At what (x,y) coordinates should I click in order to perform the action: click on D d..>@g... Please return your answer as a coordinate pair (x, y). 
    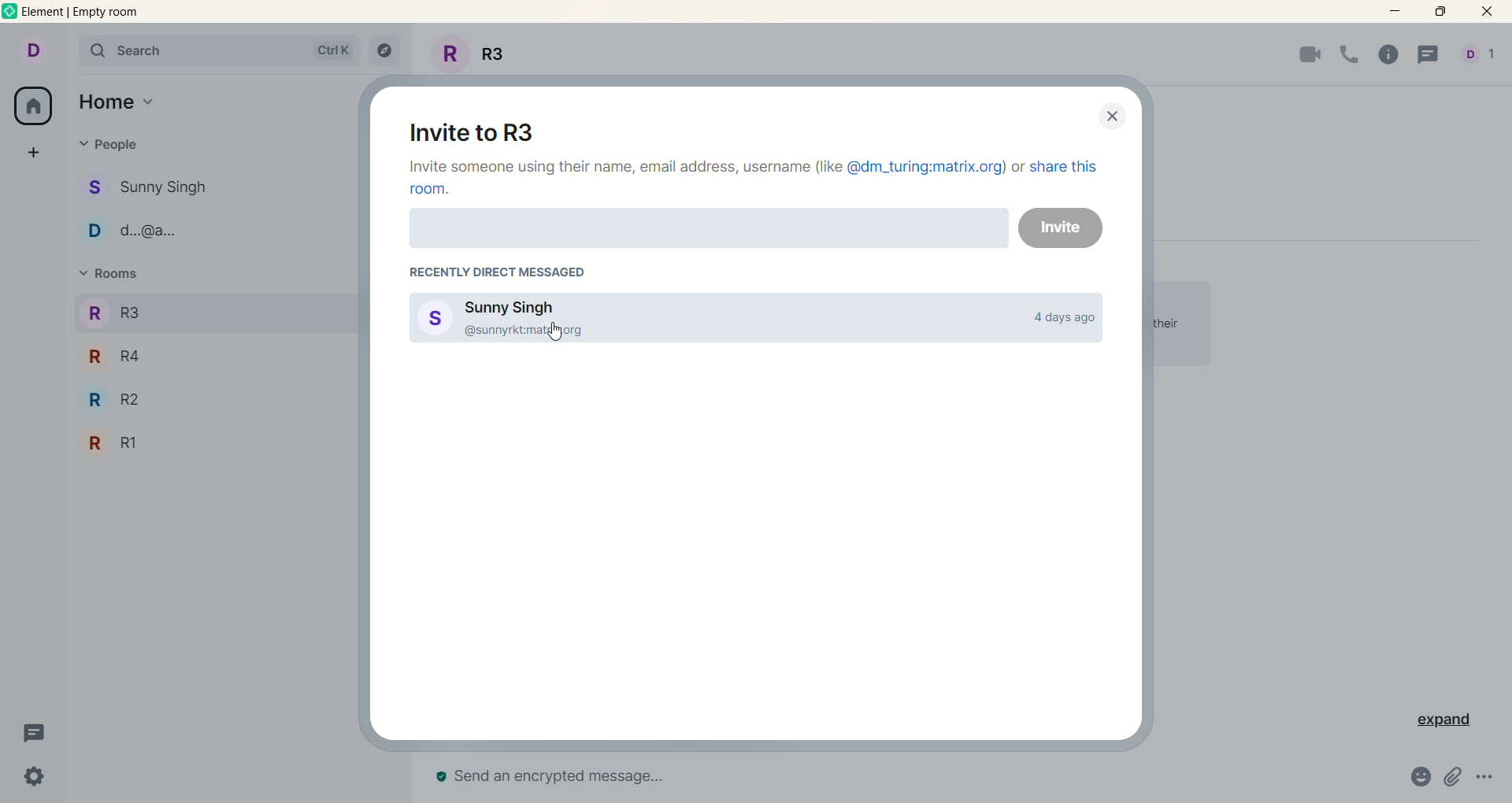
    Looking at the image, I should click on (139, 227).